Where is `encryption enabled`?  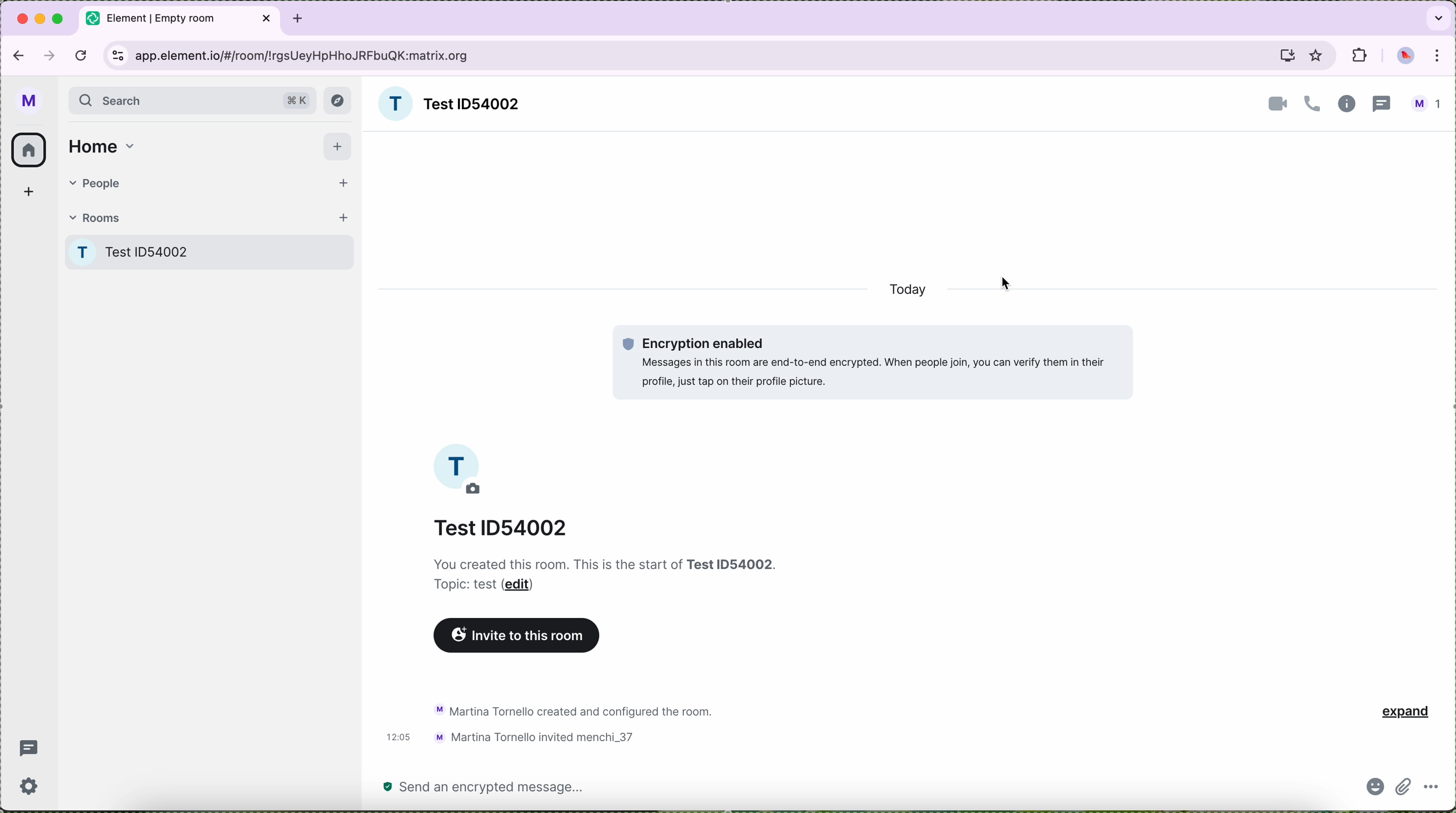 encryption enabled is located at coordinates (870, 367).